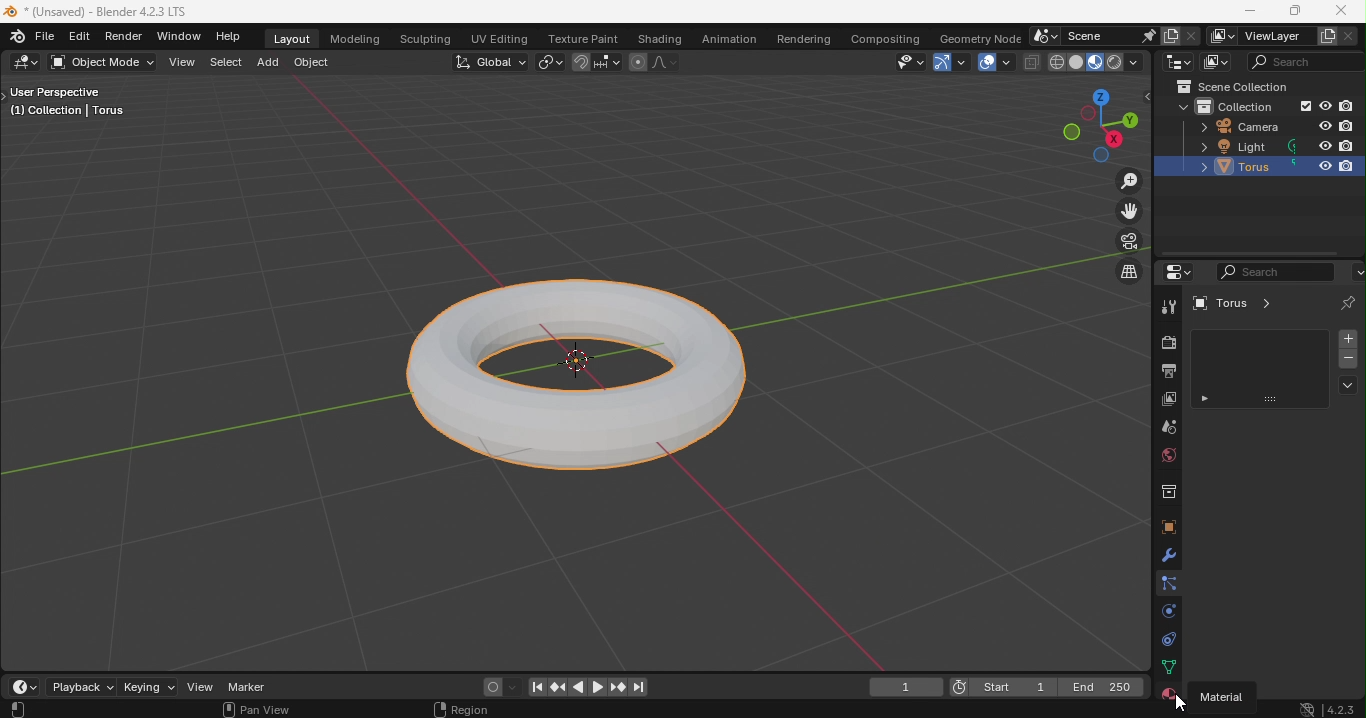 The image size is (1366, 718). Describe the element at coordinates (1094, 62) in the screenshot. I see `Viewport shading` at that location.